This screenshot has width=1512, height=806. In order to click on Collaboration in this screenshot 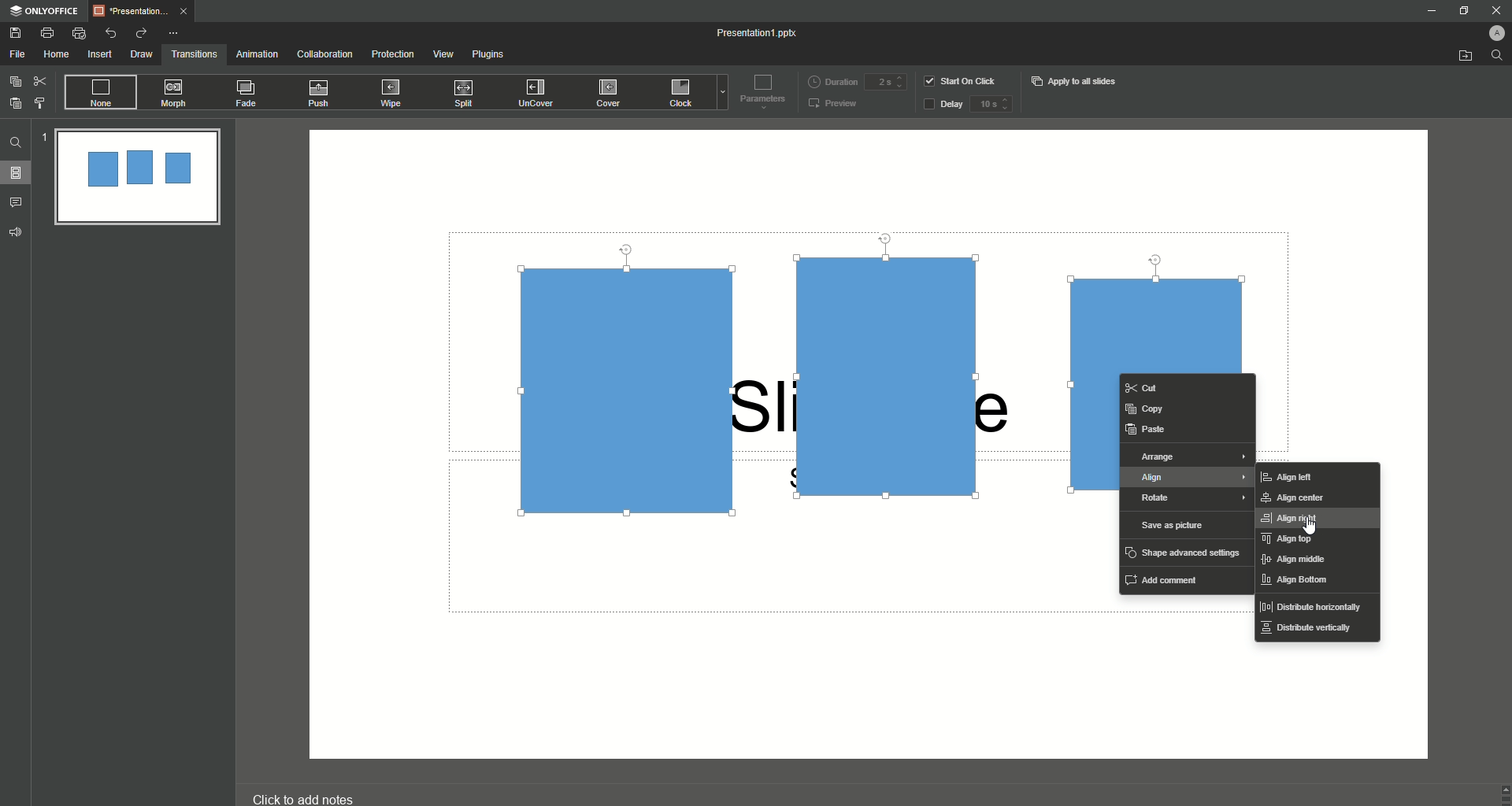, I will do `click(325, 55)`.